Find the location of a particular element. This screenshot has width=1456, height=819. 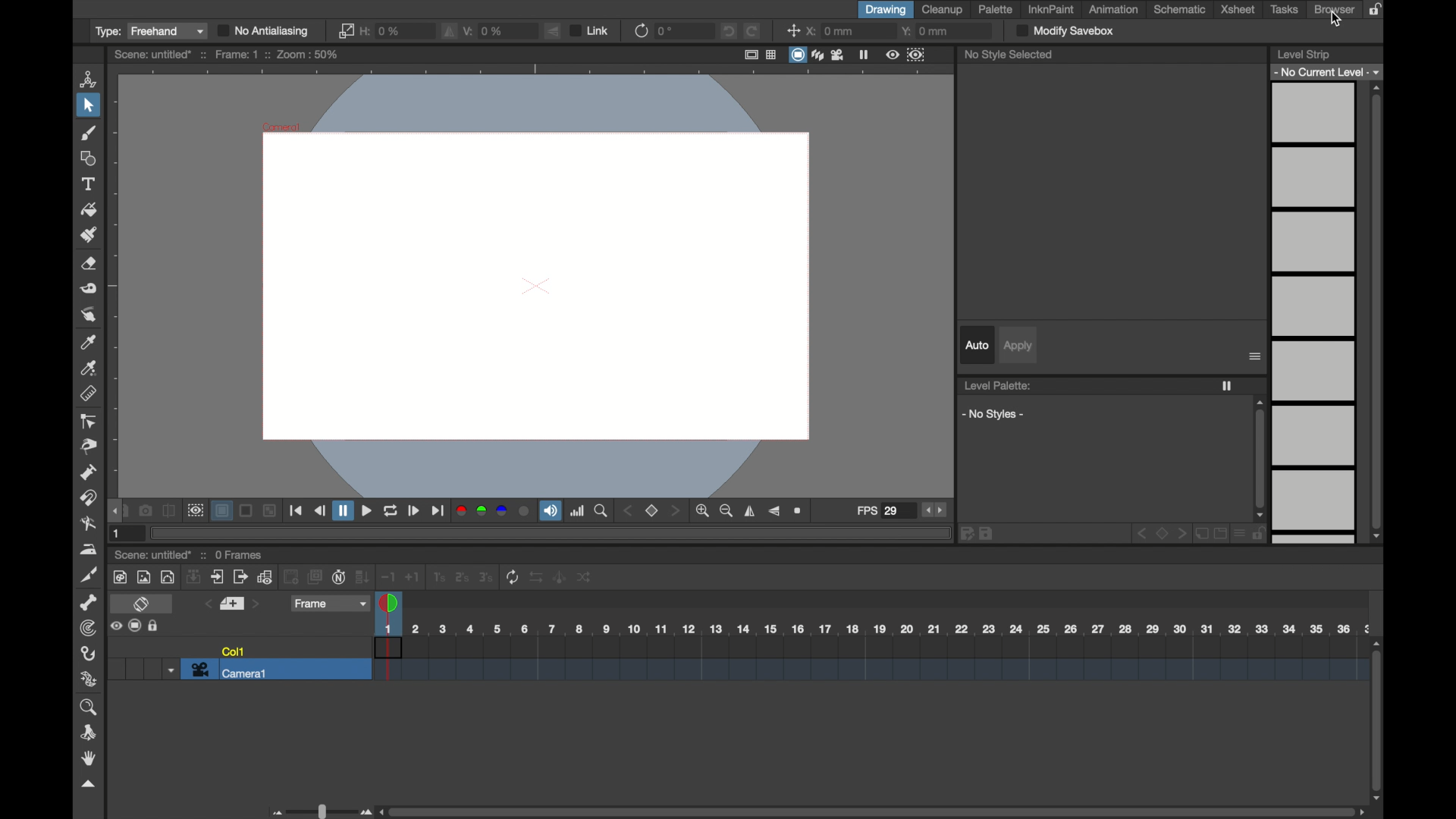

zoom is located at coordinates (800, 511).